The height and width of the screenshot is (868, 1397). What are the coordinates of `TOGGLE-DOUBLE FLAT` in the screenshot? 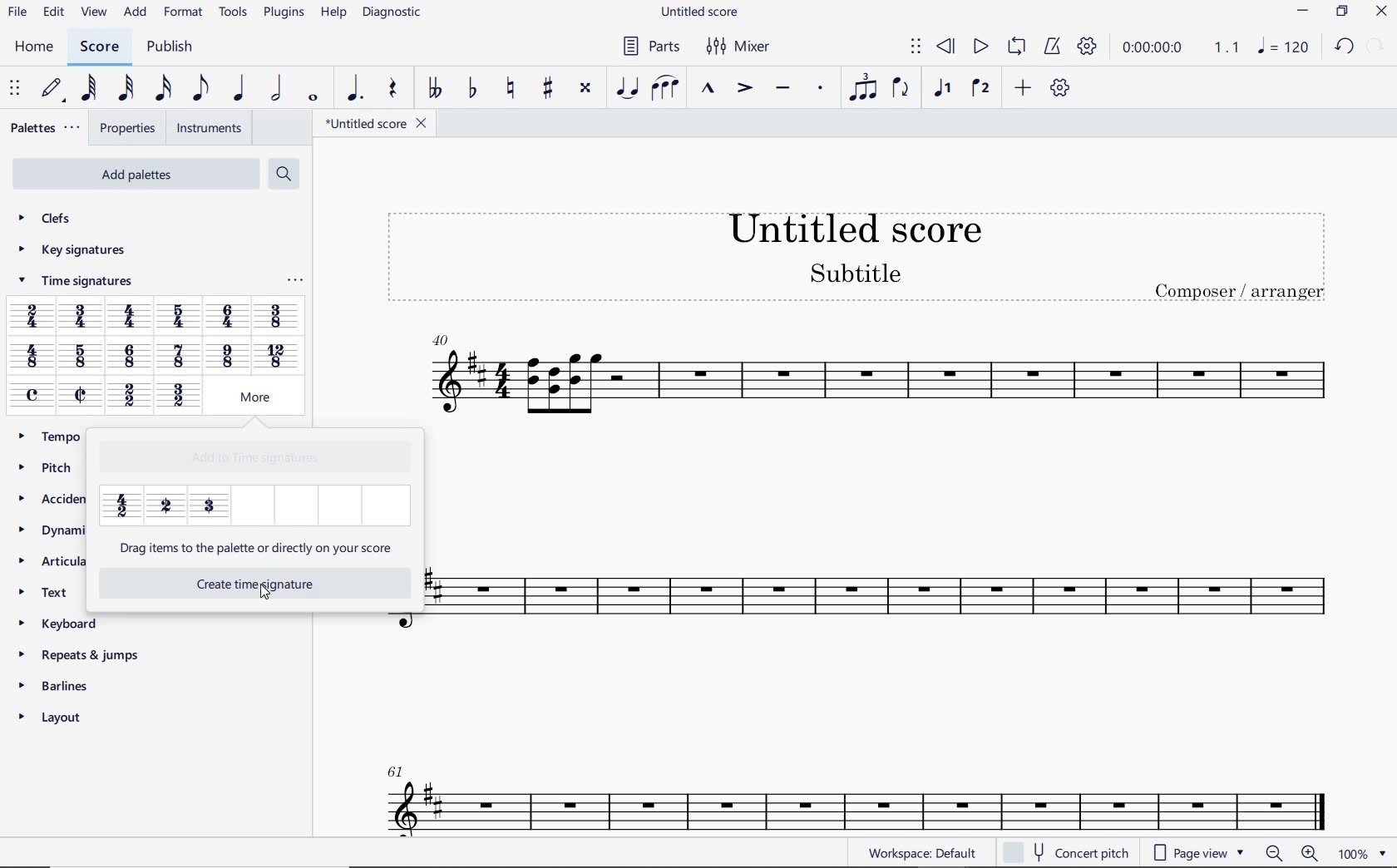 It's located at (434, 89).